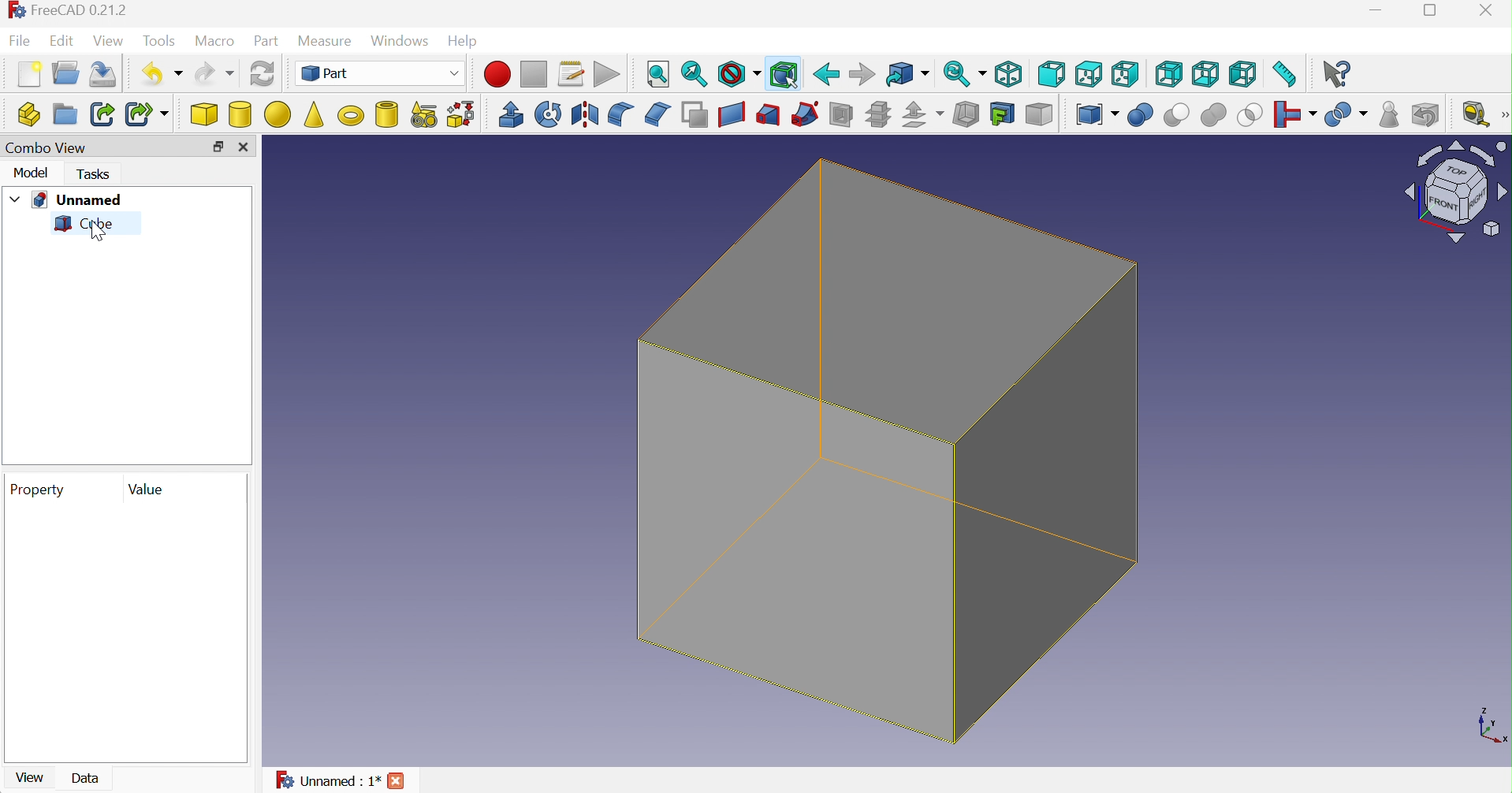 The width and height of the screenshot is (1512, 793). Describe the element at coordinates (877, 116) in the screenshot. I see `Sub-sections` at that location.